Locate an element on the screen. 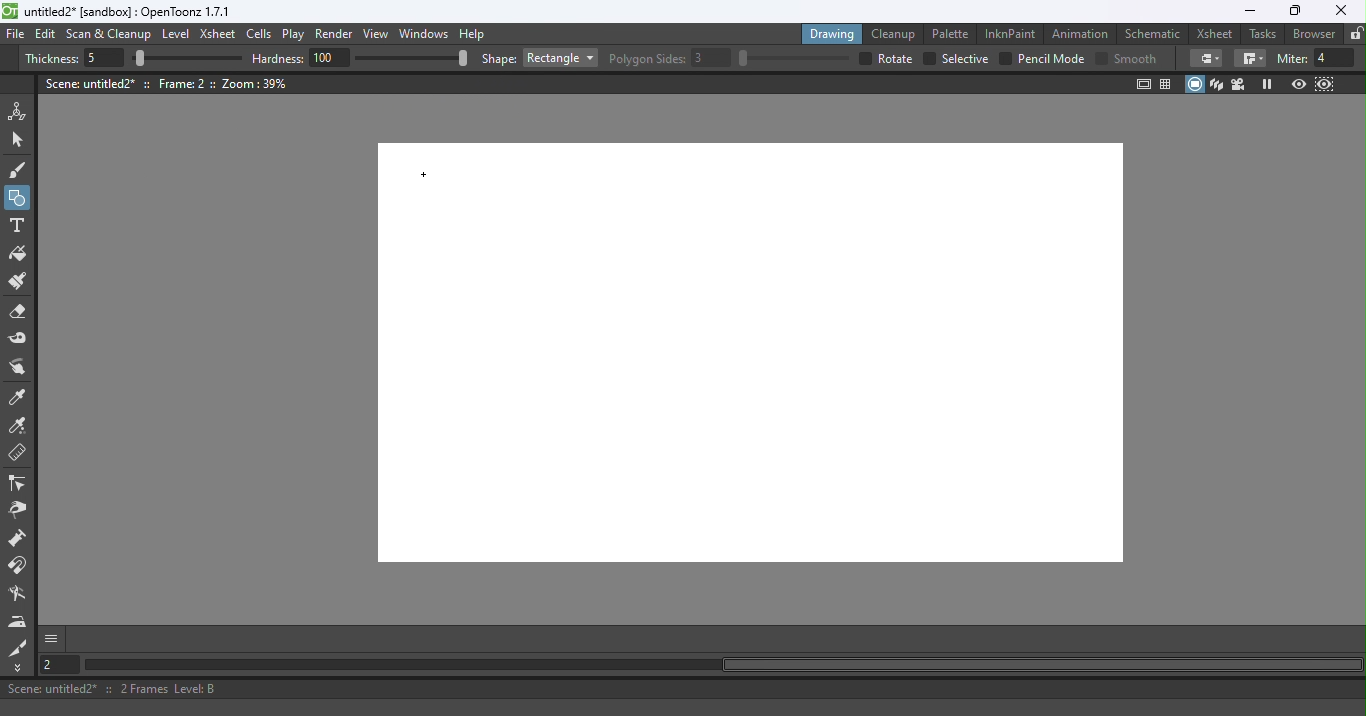 The image size is (1366, 716). Cells is located at coordinates (262, 35).